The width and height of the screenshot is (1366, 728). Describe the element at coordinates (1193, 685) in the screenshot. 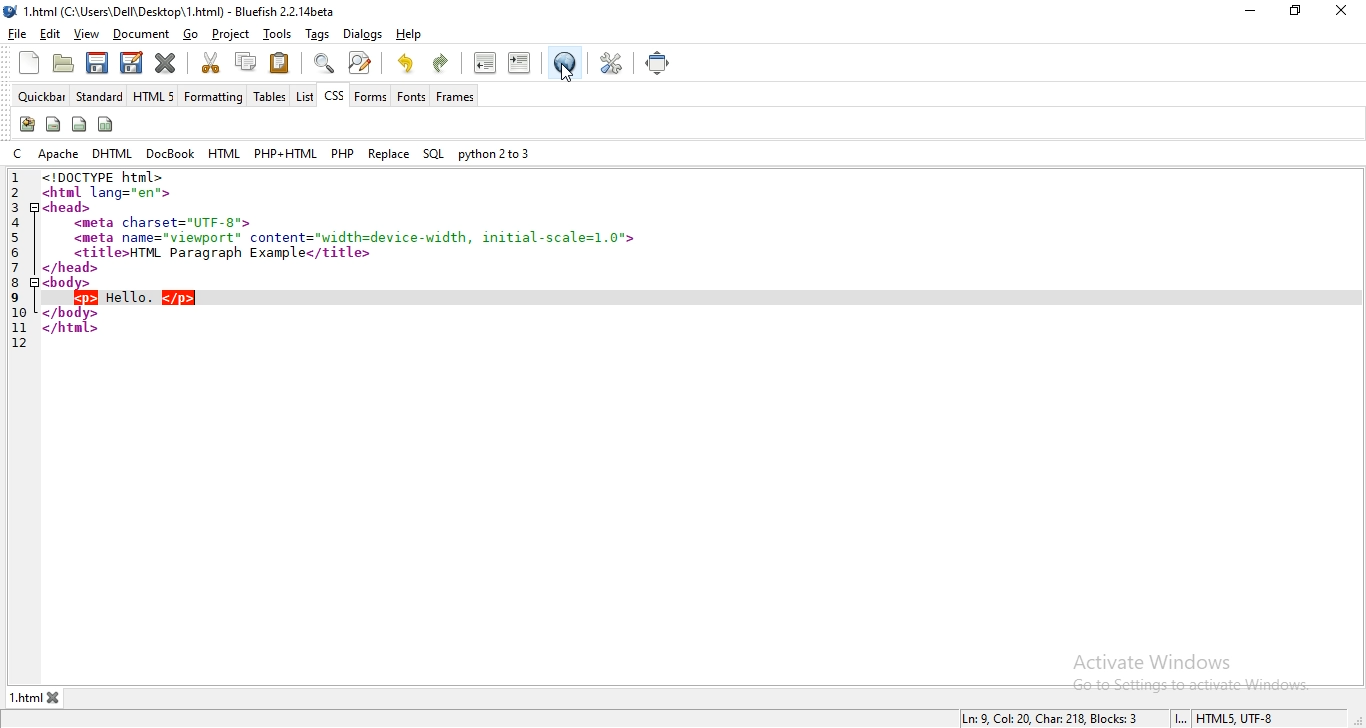

I see `Go to settings to activate windows.` at that location.